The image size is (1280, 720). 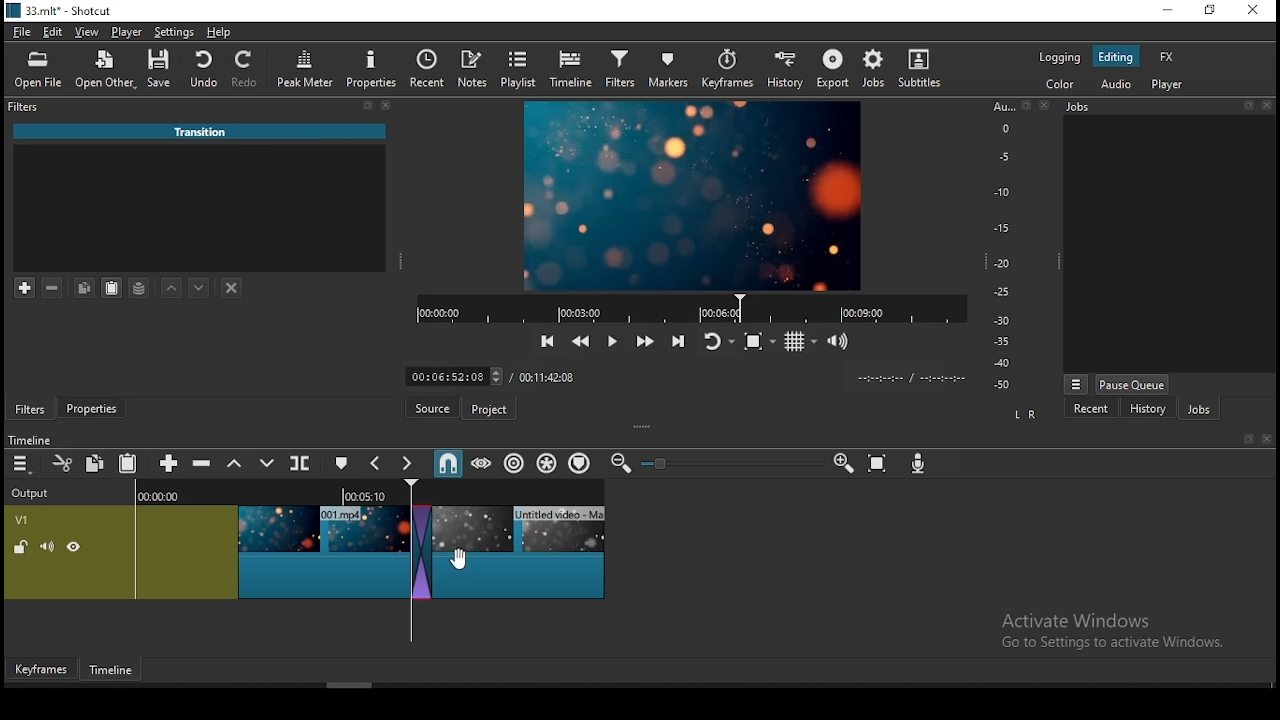 I want to click on video track, so click(x=119, y=555).